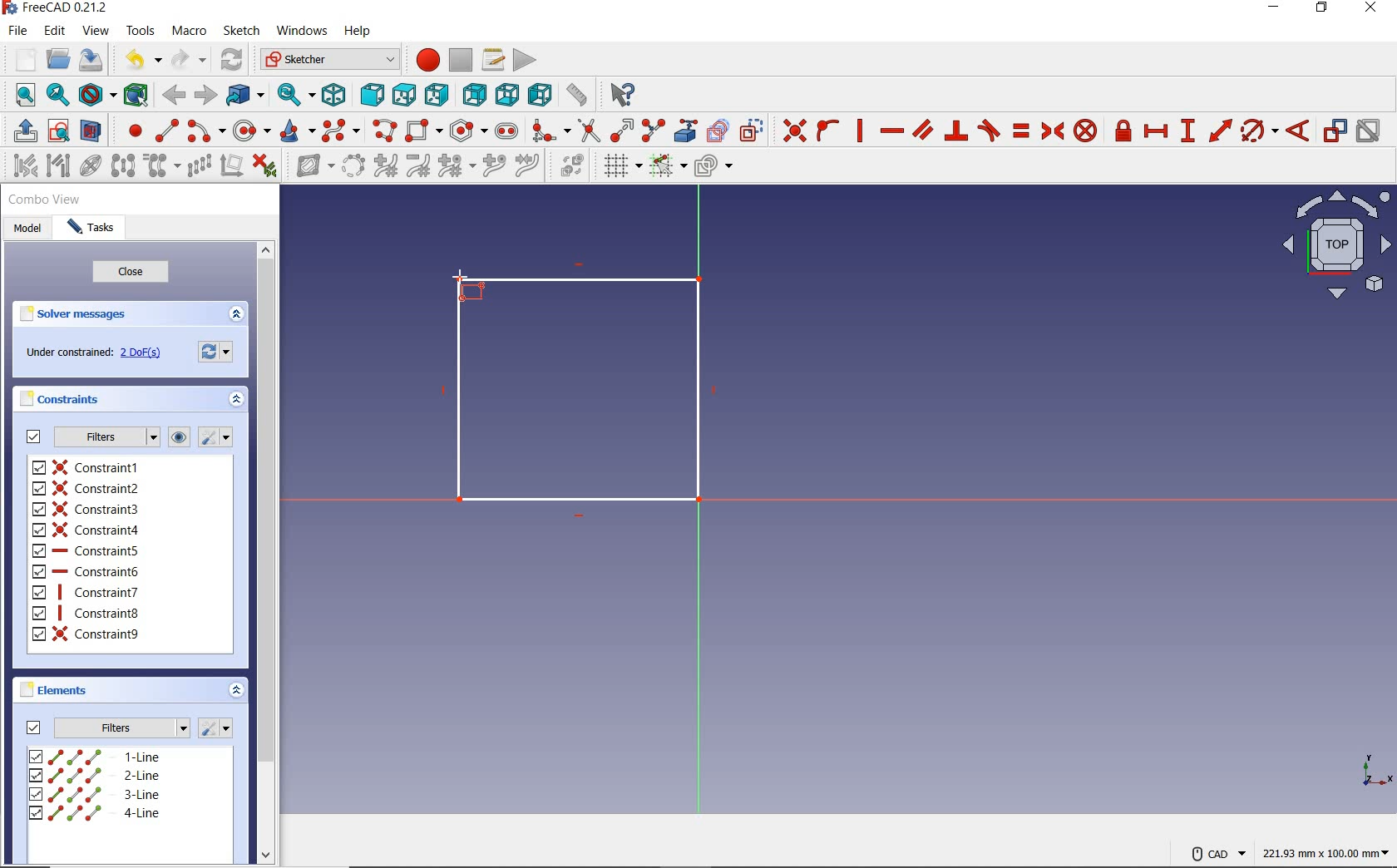 The width and height of the screenshot is (1397, 868). Describe the element at coordinates (493, 60) in the screenshot. I see `macros` at that location.